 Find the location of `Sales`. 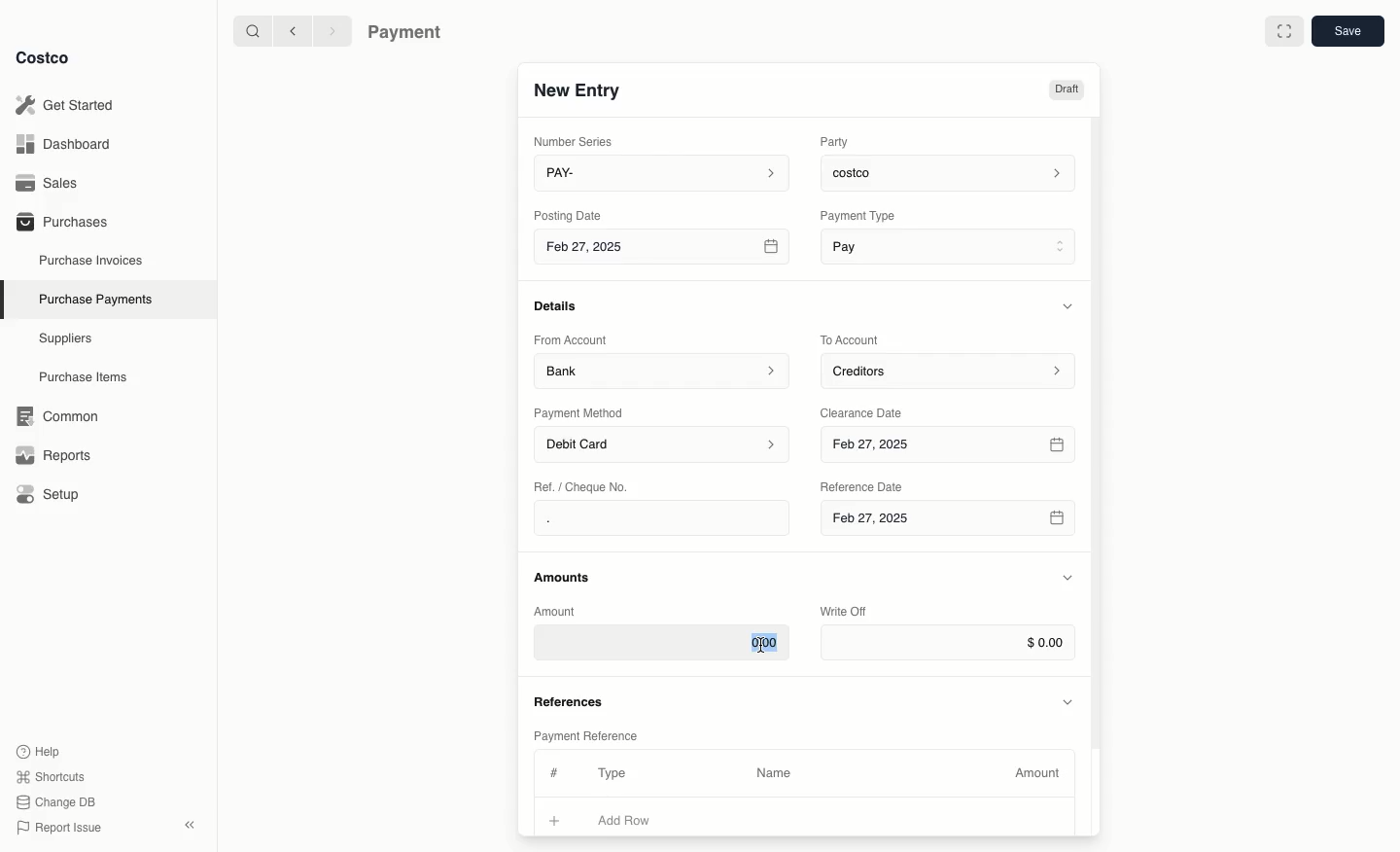

Sales is located at coordinates (53, 183).